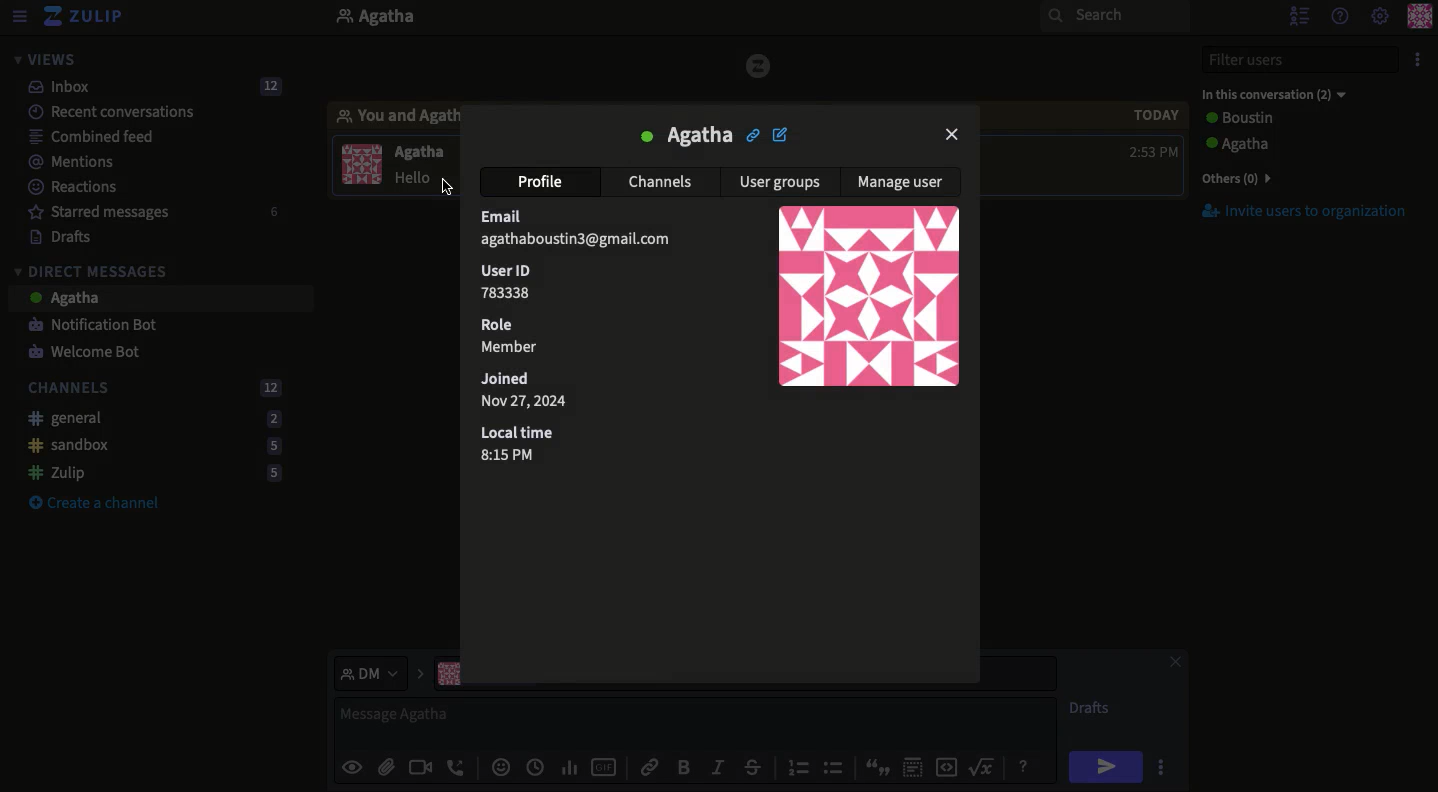  What do you see at coordinates (756, 766) in the screenshot?
I see `Strikethrough ` at bounding box center [756, 766].